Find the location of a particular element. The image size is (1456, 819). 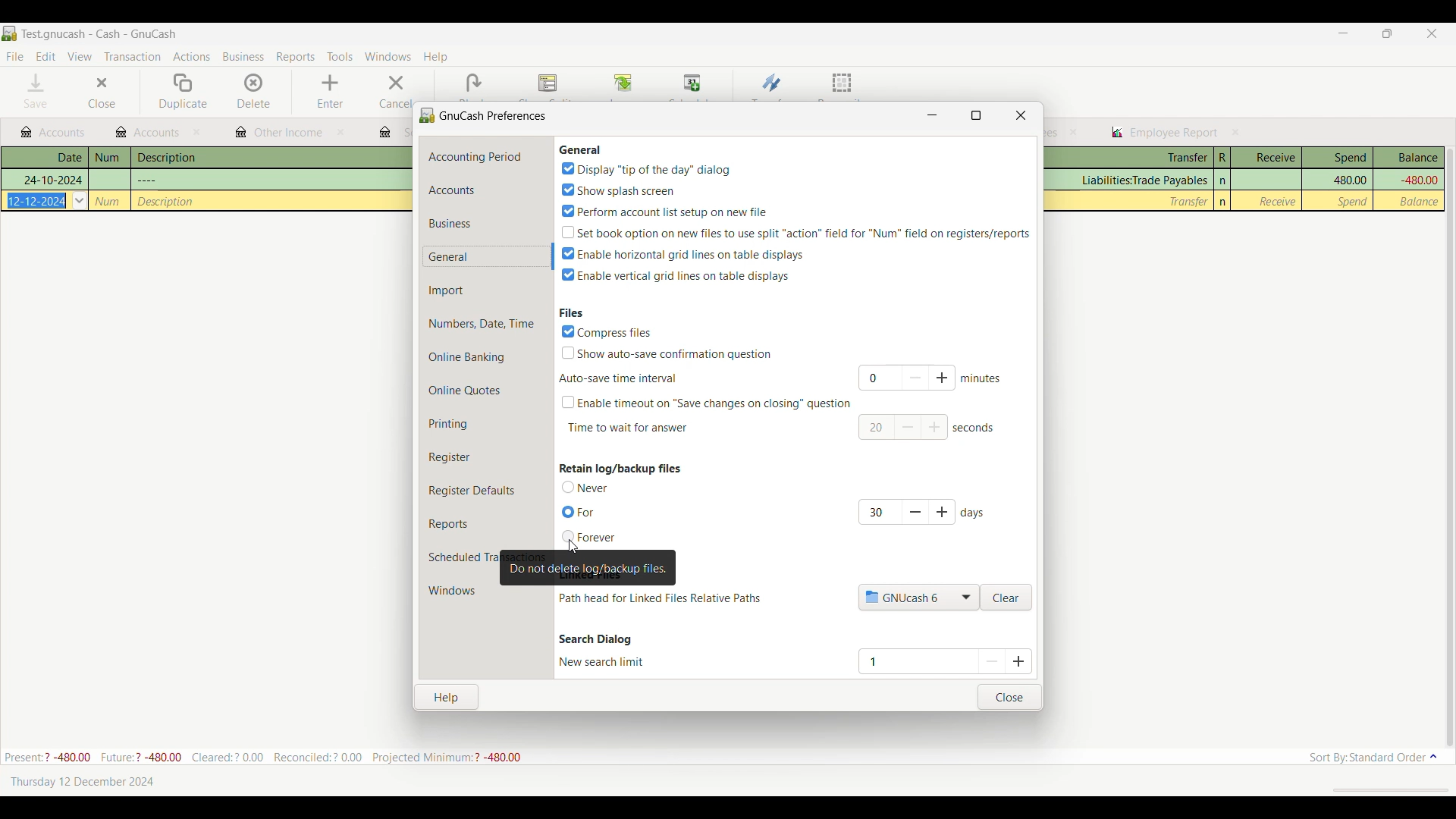

close is located at coordinates (340, 132).